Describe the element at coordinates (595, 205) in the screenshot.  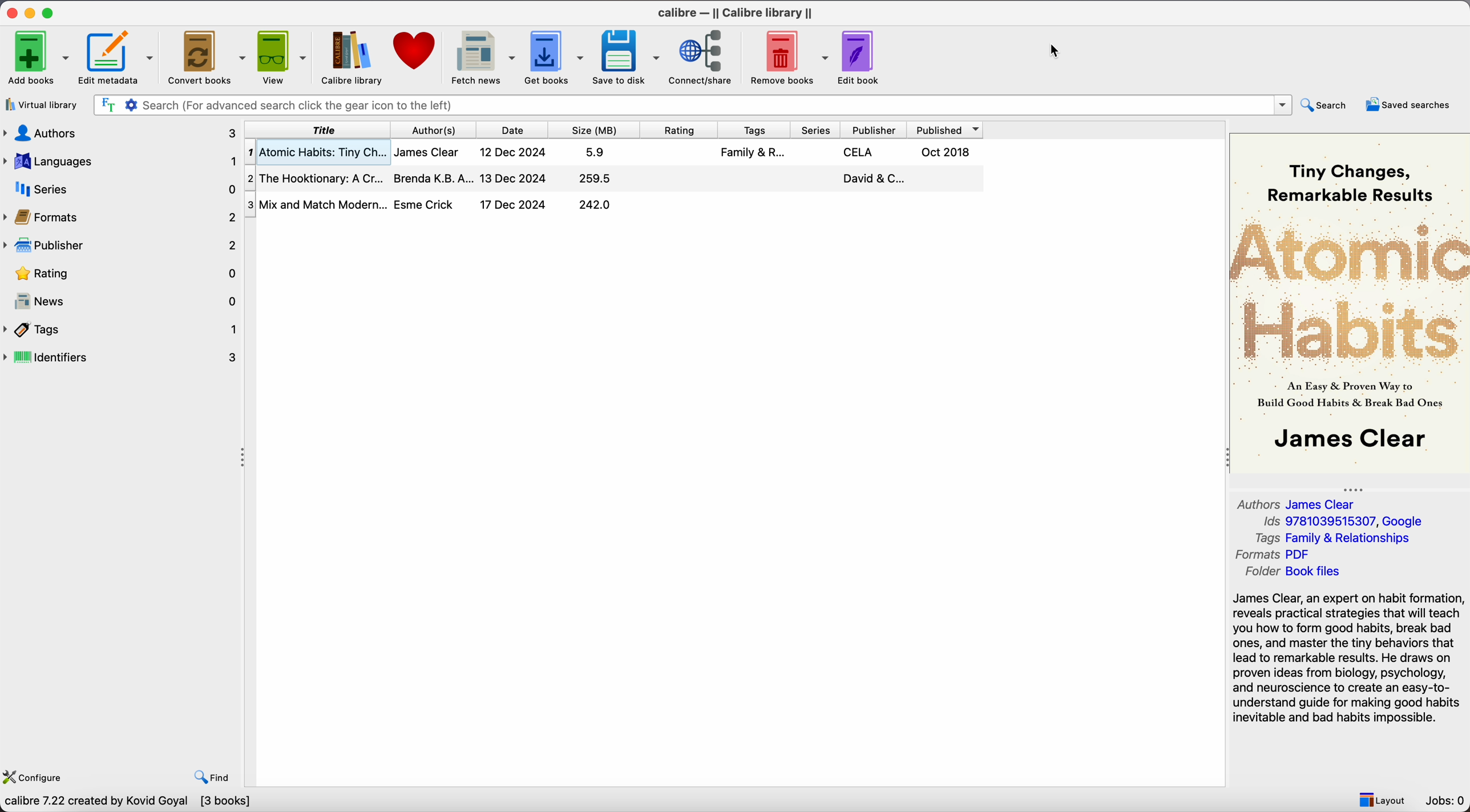
I see `242.0` at that location.